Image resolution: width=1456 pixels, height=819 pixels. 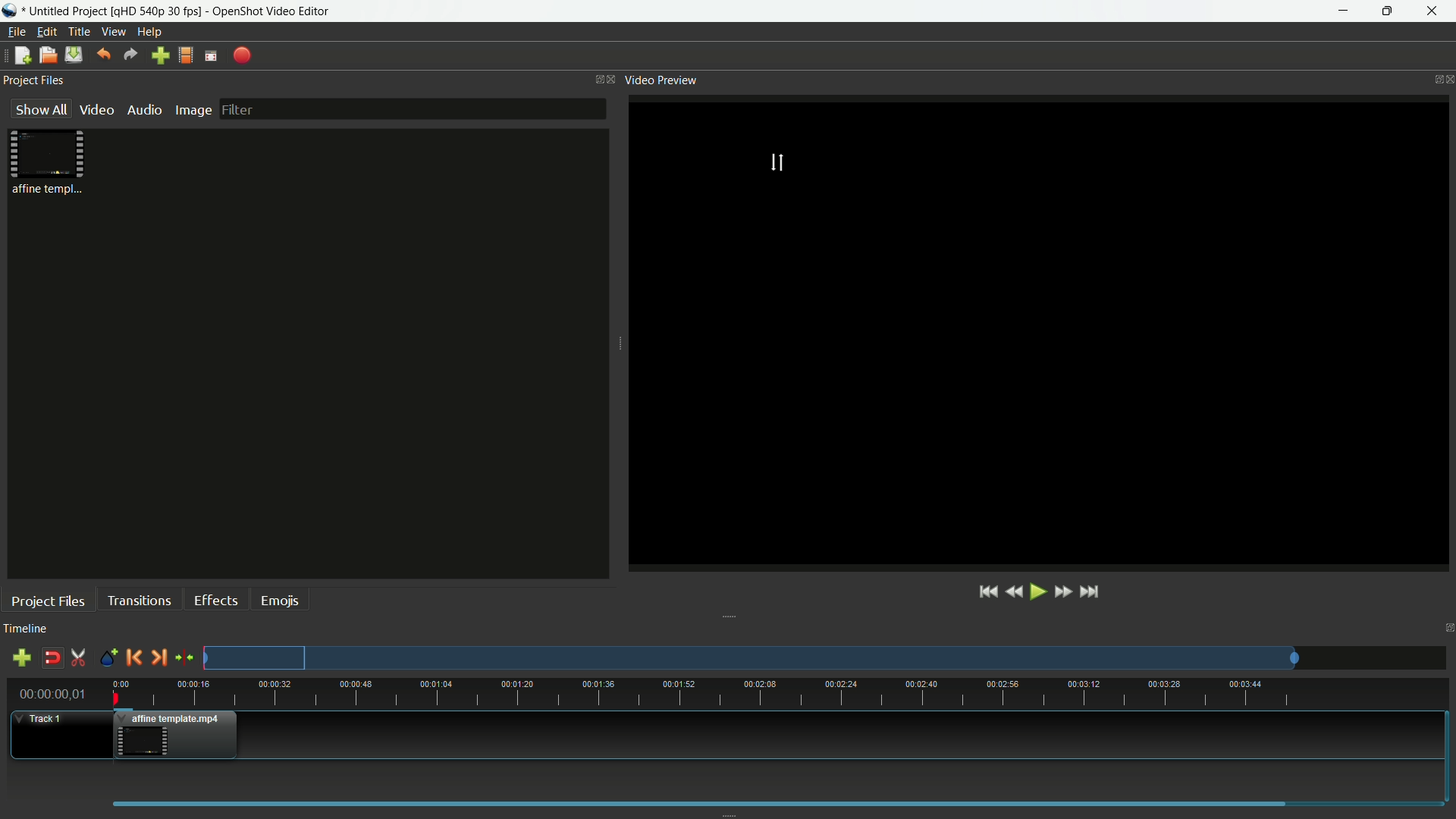 I want to click on add track, so click(x=24, y=657).